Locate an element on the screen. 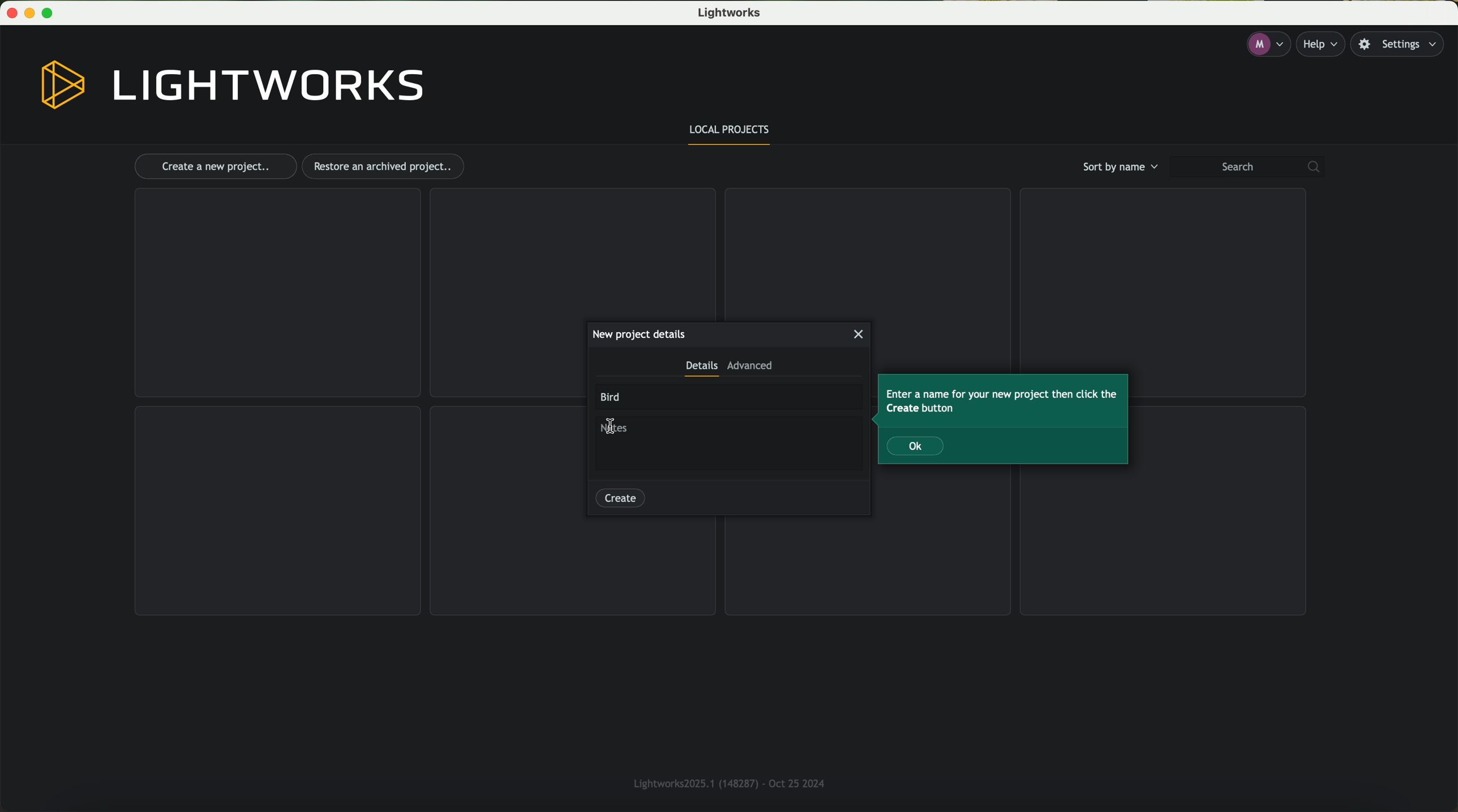 The width and height of the screenshot is (1458, 812). minimize is located at coordinates (32, 13).